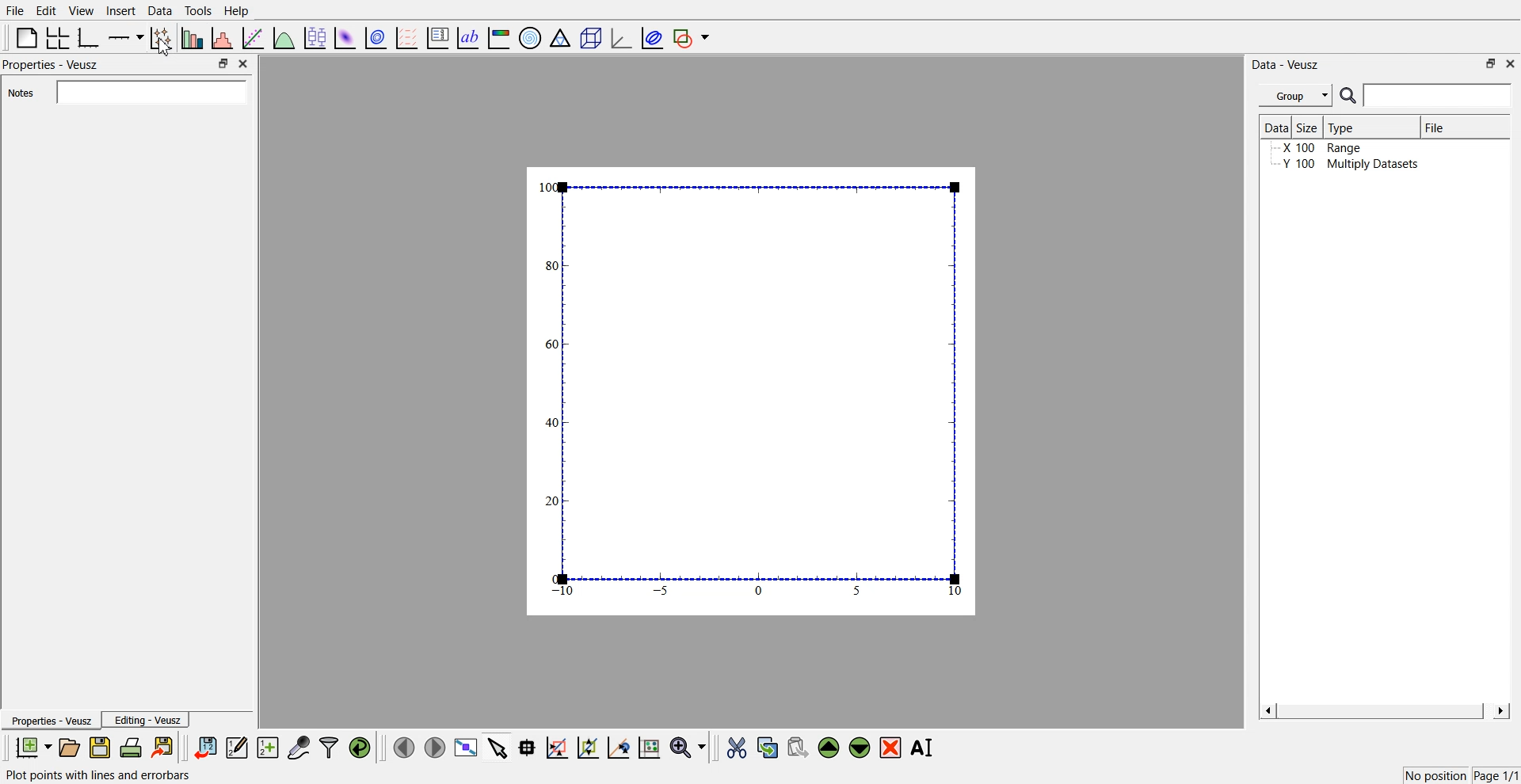  What do you see at coordinates (119, 11) in the screenshot?
I see `Insert` at bounding box center [119, 11].